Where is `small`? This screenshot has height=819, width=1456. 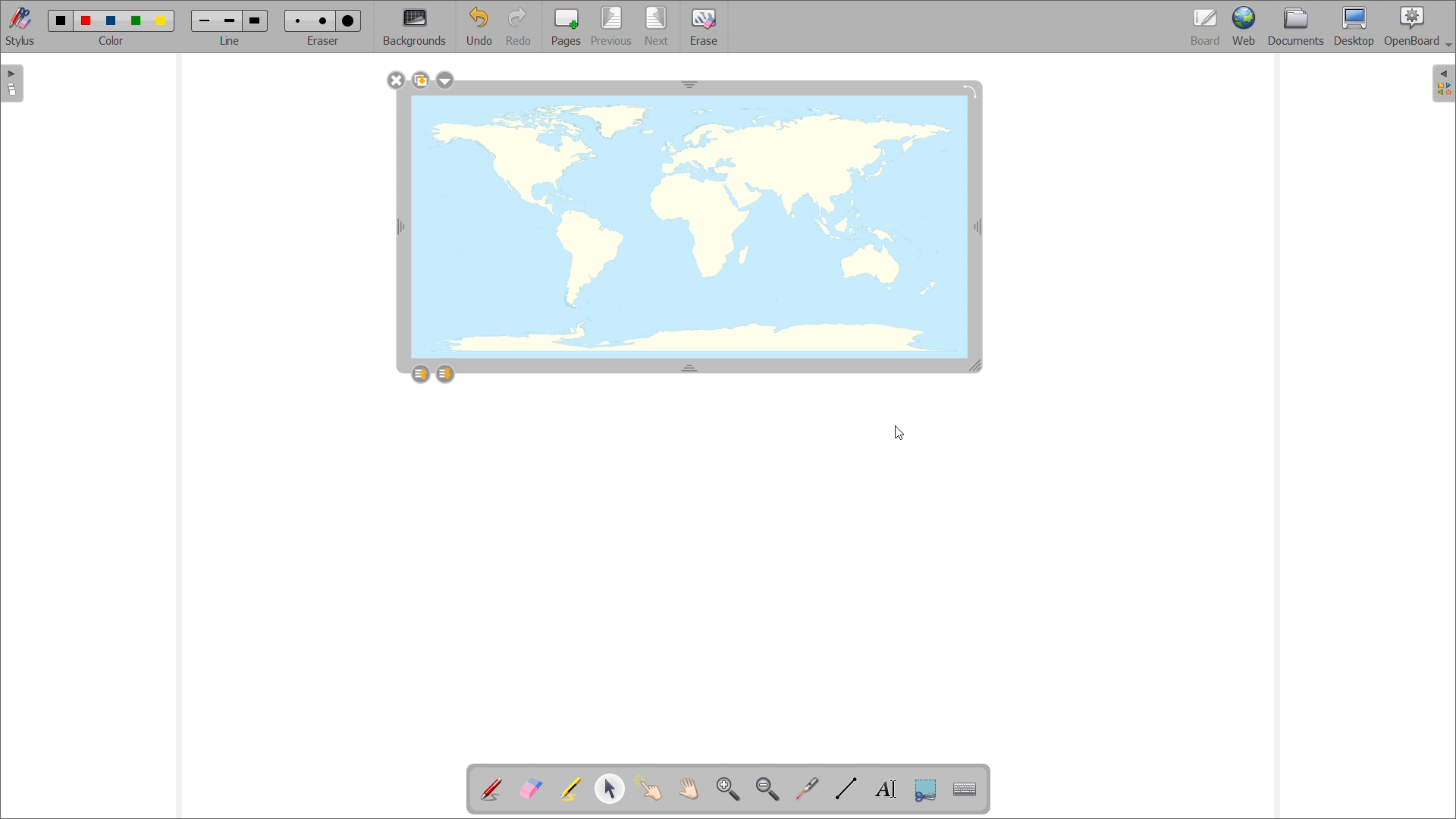 small is located at coordinates (203, 22).